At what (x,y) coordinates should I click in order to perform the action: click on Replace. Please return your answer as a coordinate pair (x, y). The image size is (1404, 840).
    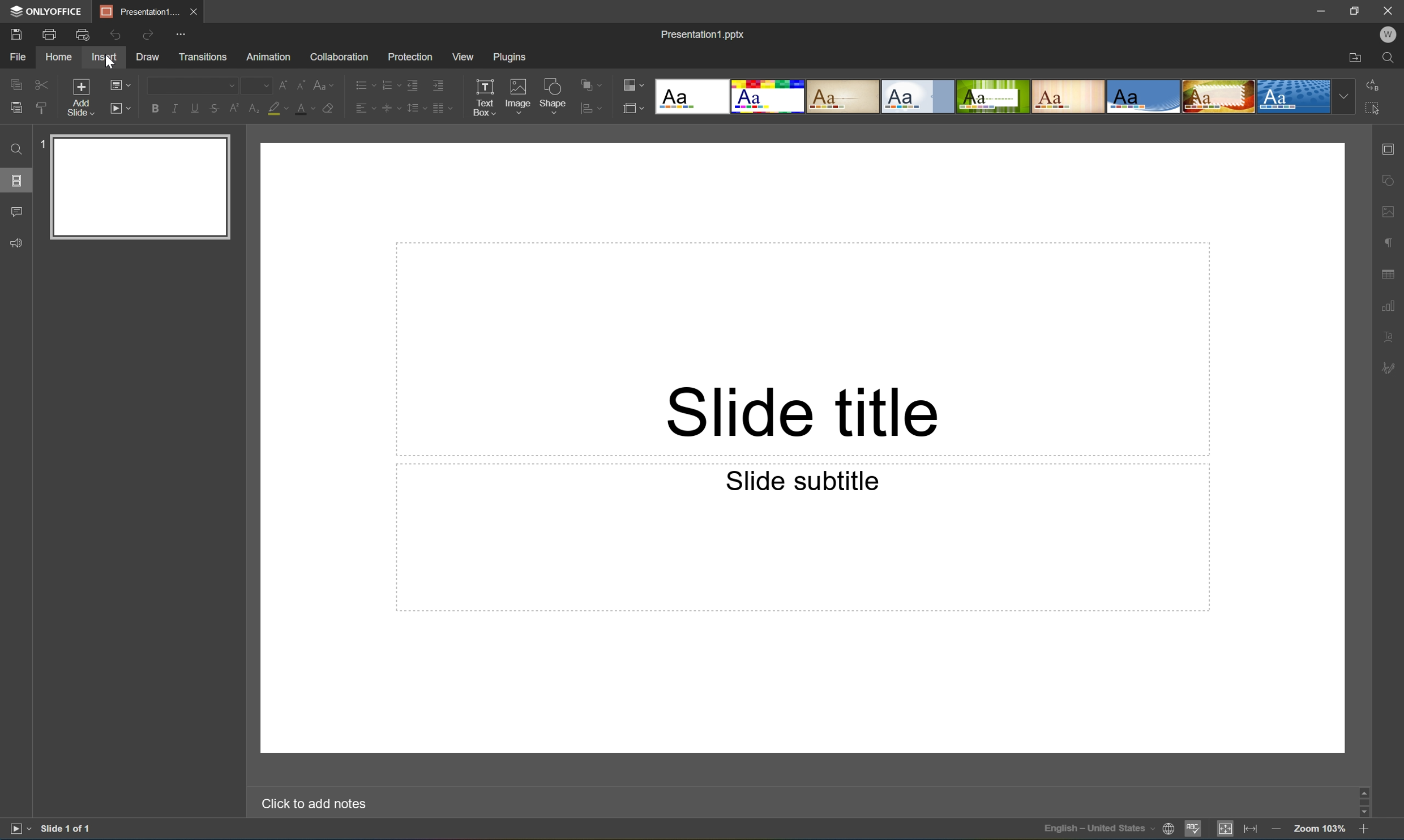
    Looking at the image, I should click on (1372, 84).